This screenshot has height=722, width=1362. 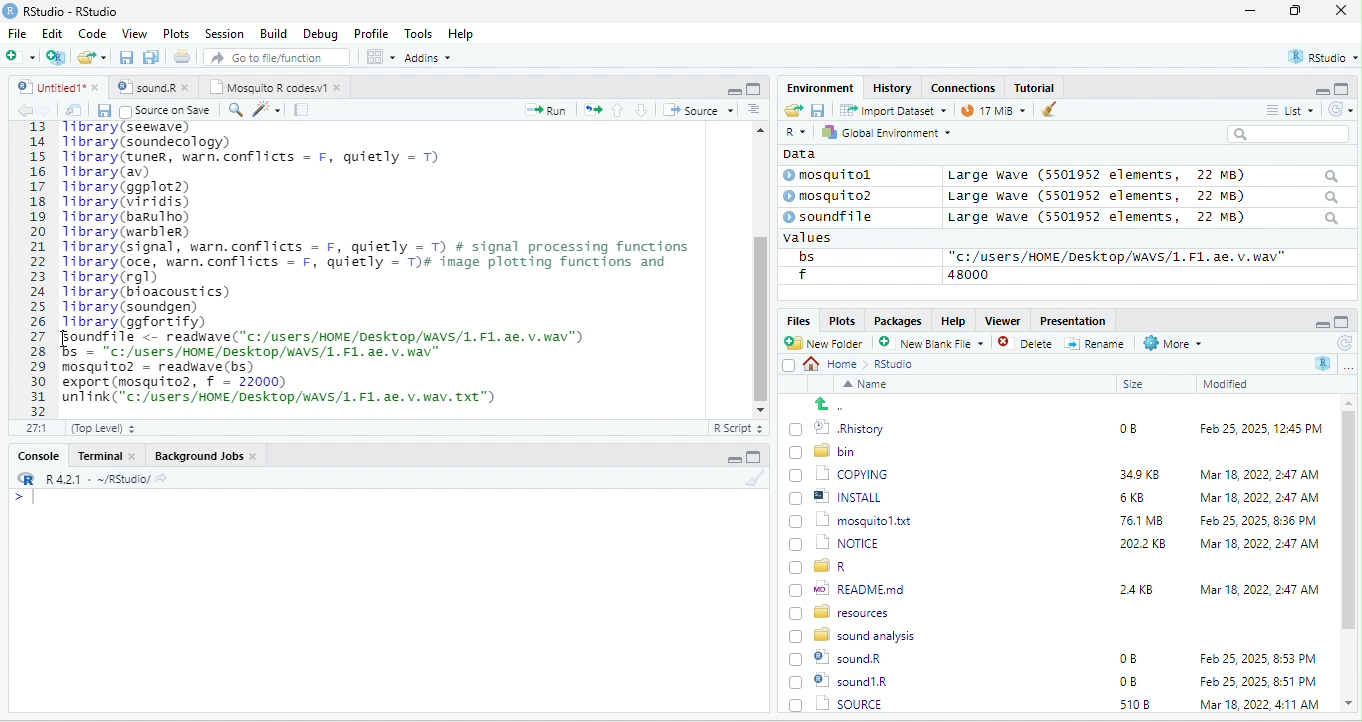 What do you see at coordinates (1171, 344) in the screenshot?
I see ` More ` at bounding box center [1171, 344].